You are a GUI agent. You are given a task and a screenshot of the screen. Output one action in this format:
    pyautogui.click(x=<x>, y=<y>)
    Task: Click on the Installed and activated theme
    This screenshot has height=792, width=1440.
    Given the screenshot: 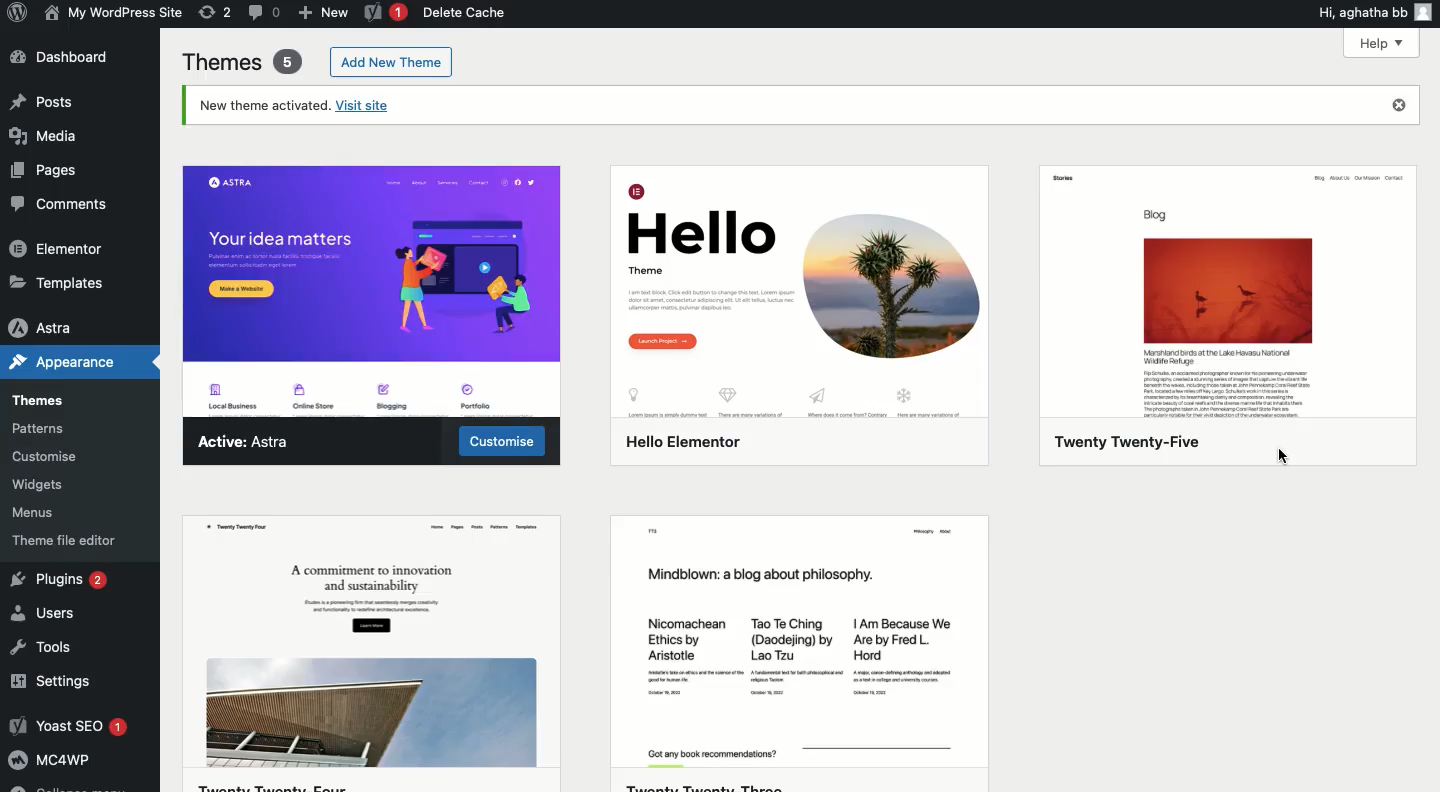 What is the action you would take?
    pyautogui.click(x=373, y=291)
    